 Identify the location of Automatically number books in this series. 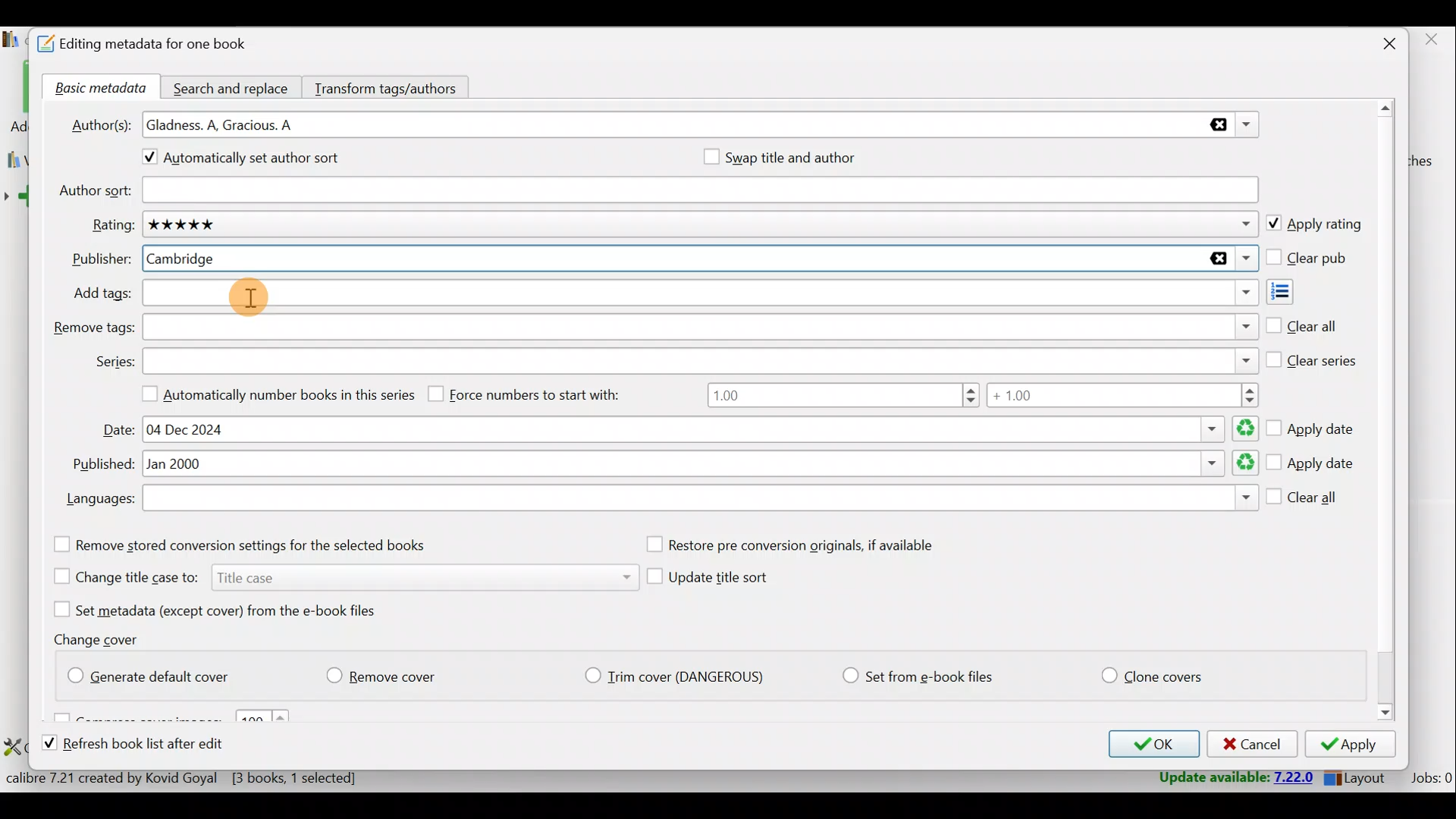
(272, 393).